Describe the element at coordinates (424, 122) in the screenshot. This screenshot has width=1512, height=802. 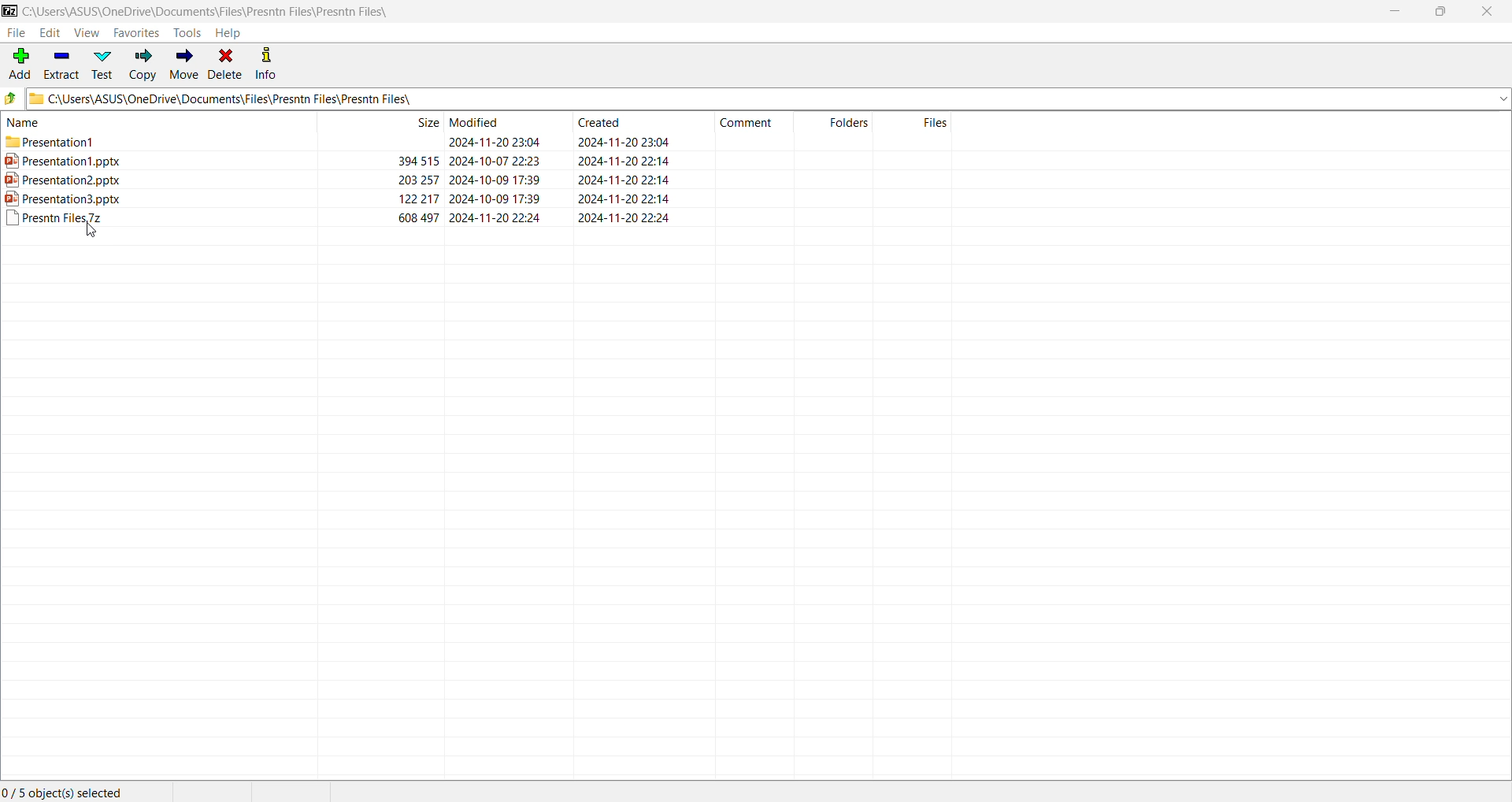
I see `Size ` at that location.